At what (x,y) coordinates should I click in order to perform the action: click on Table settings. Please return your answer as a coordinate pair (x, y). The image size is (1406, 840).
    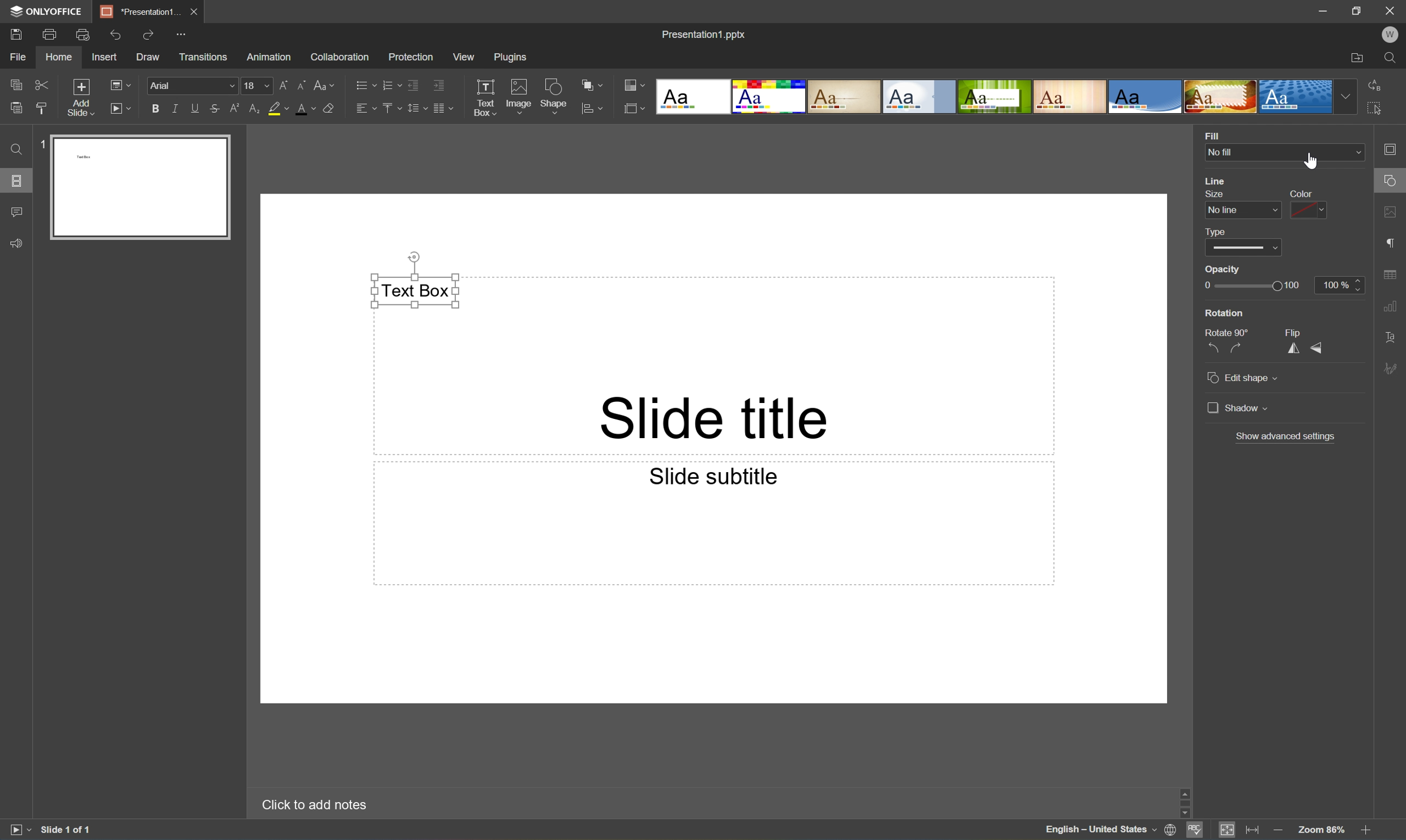
    Looking at the image, I should click on (1395, 273).